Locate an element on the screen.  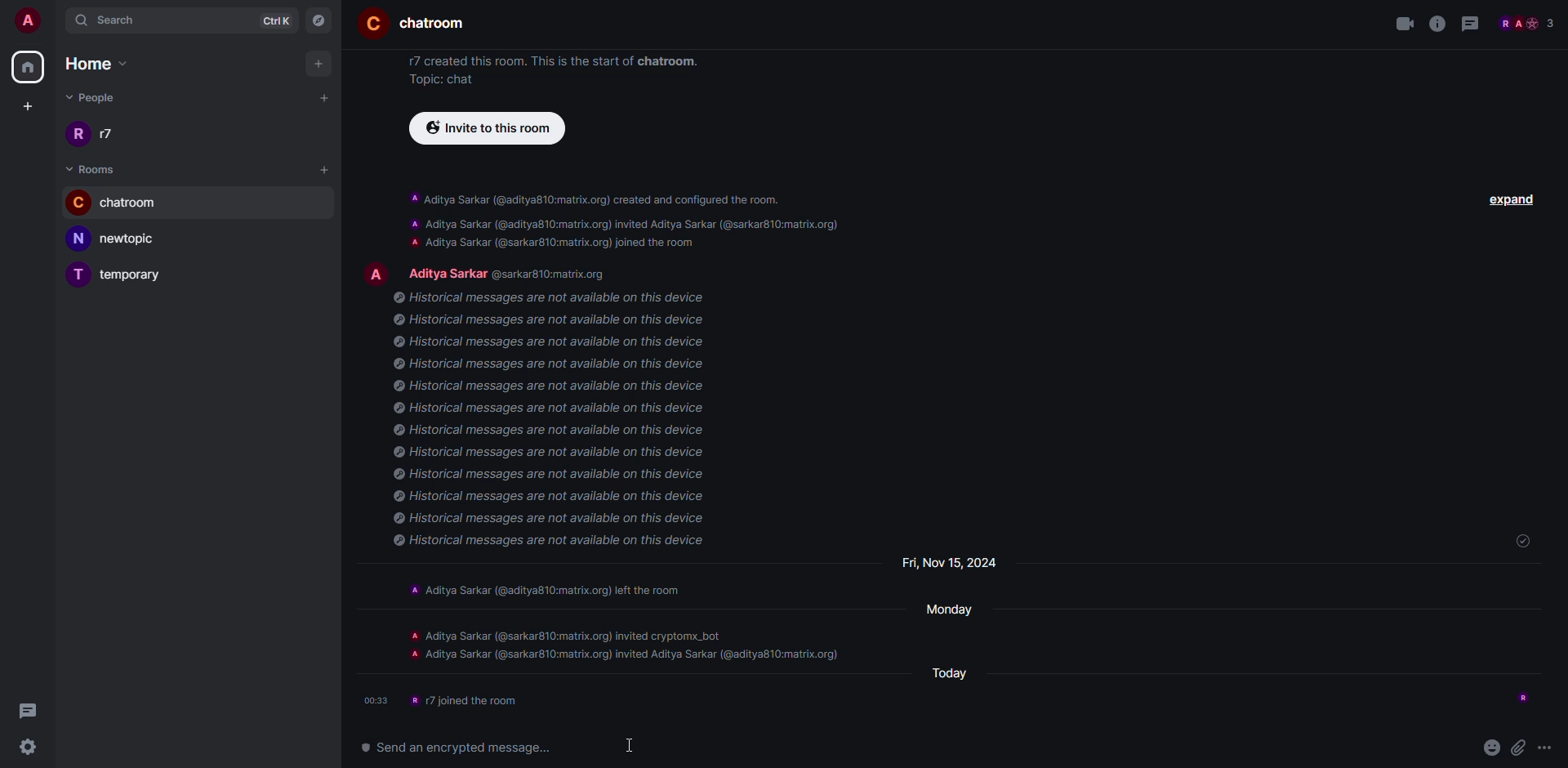
home is located at coordinates (105, 65).